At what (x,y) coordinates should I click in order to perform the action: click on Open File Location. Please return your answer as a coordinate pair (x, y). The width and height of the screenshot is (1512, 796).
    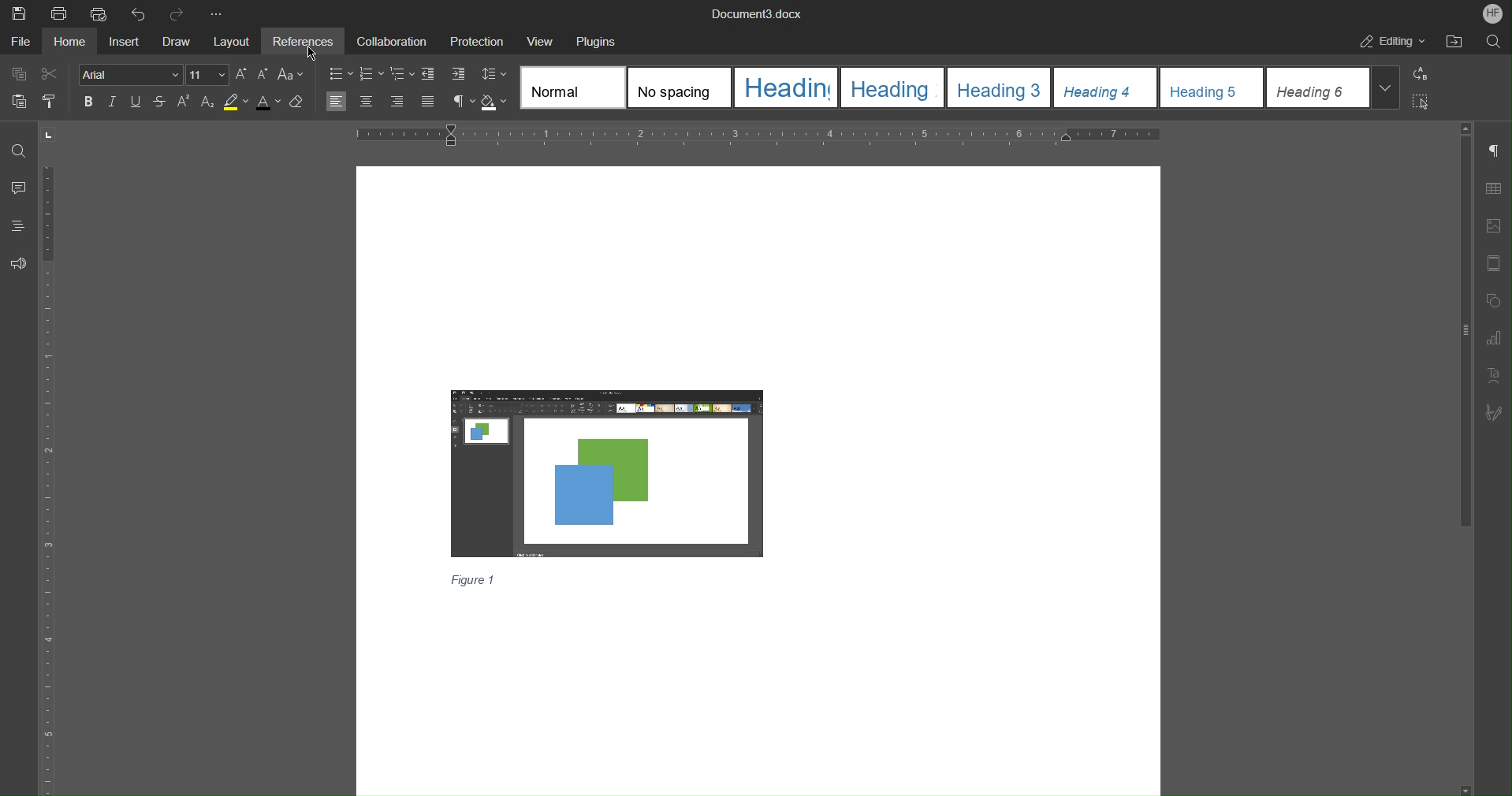
    Looking at the image, I should click on (1460, 43).